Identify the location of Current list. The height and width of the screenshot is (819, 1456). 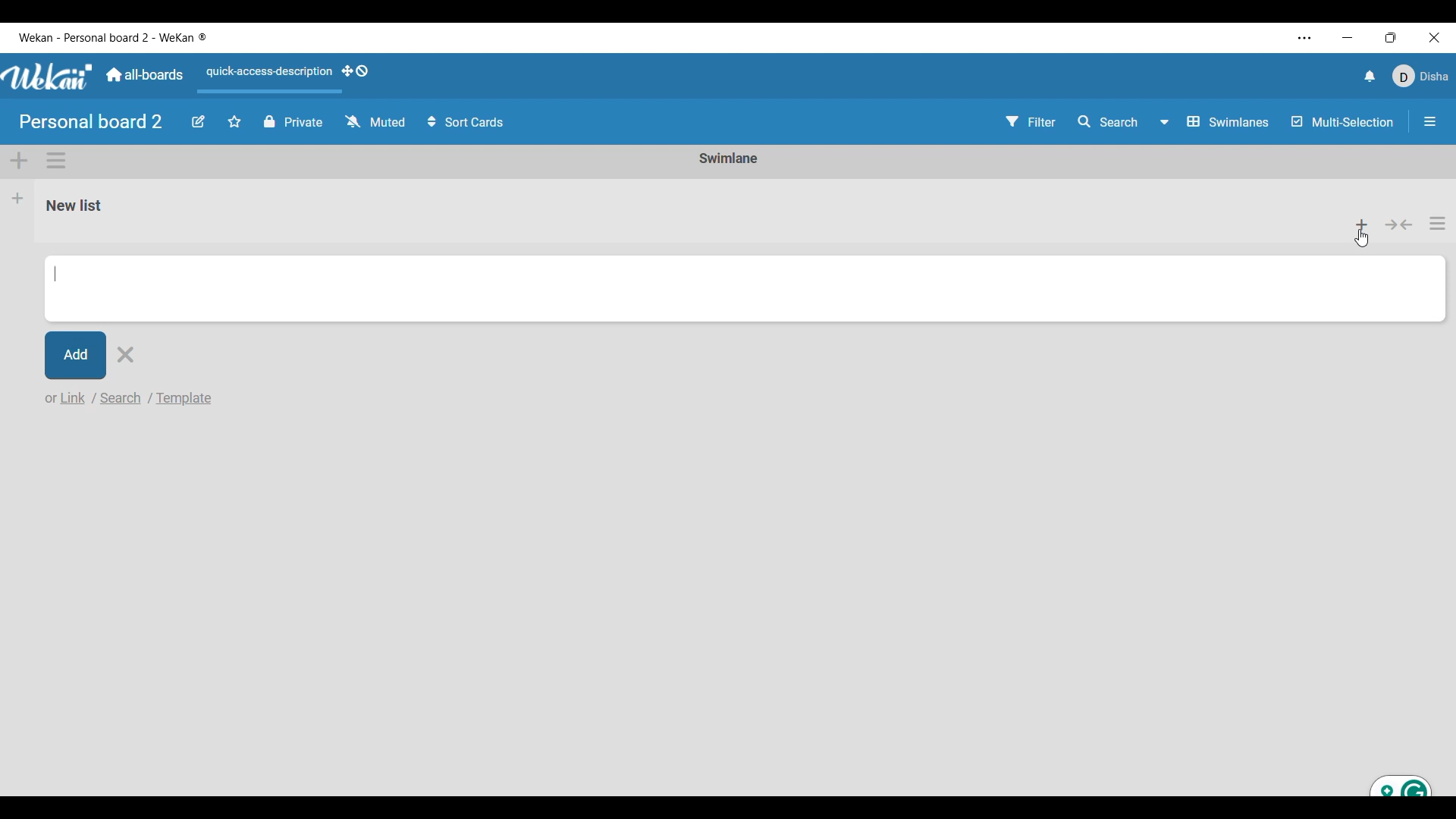
(677, 212).